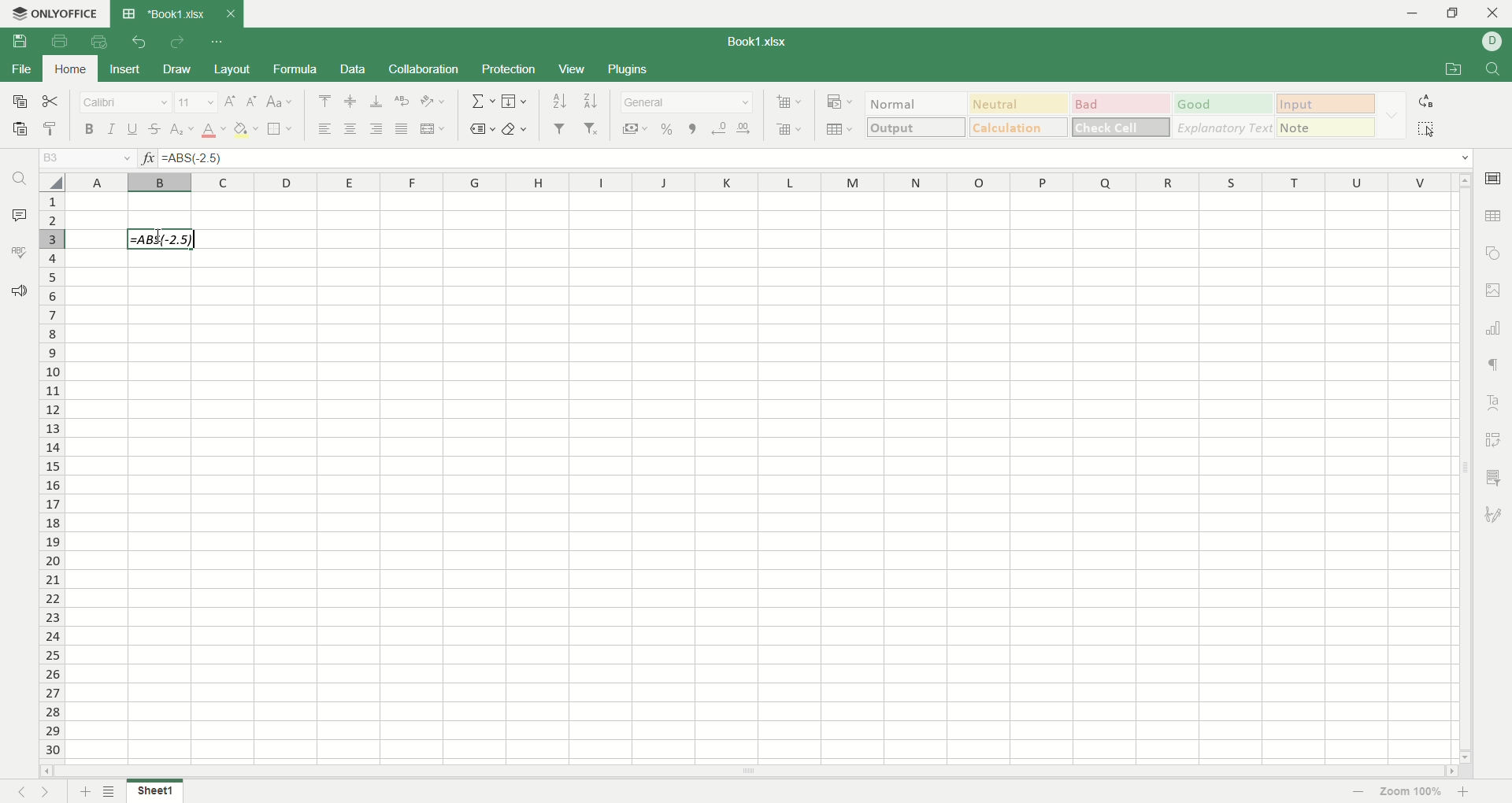 The height and width of the screenshot is (803, 1512). I want to click on explanatory test, so click(1225, 128).